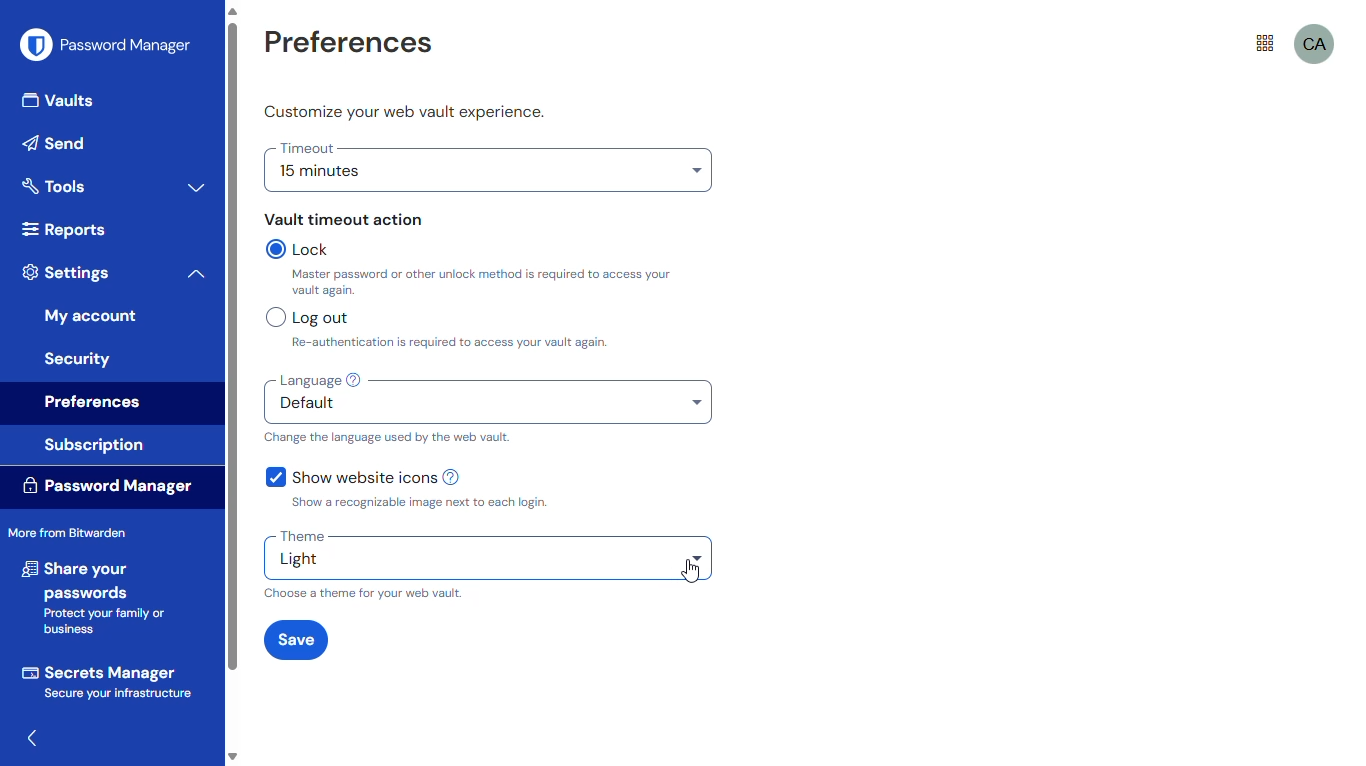 Image resolution: width=1366 pixels, height=766 pixels. Describe the element at coordinates (54, 185) in the screenshot. I see `tools` at that location.